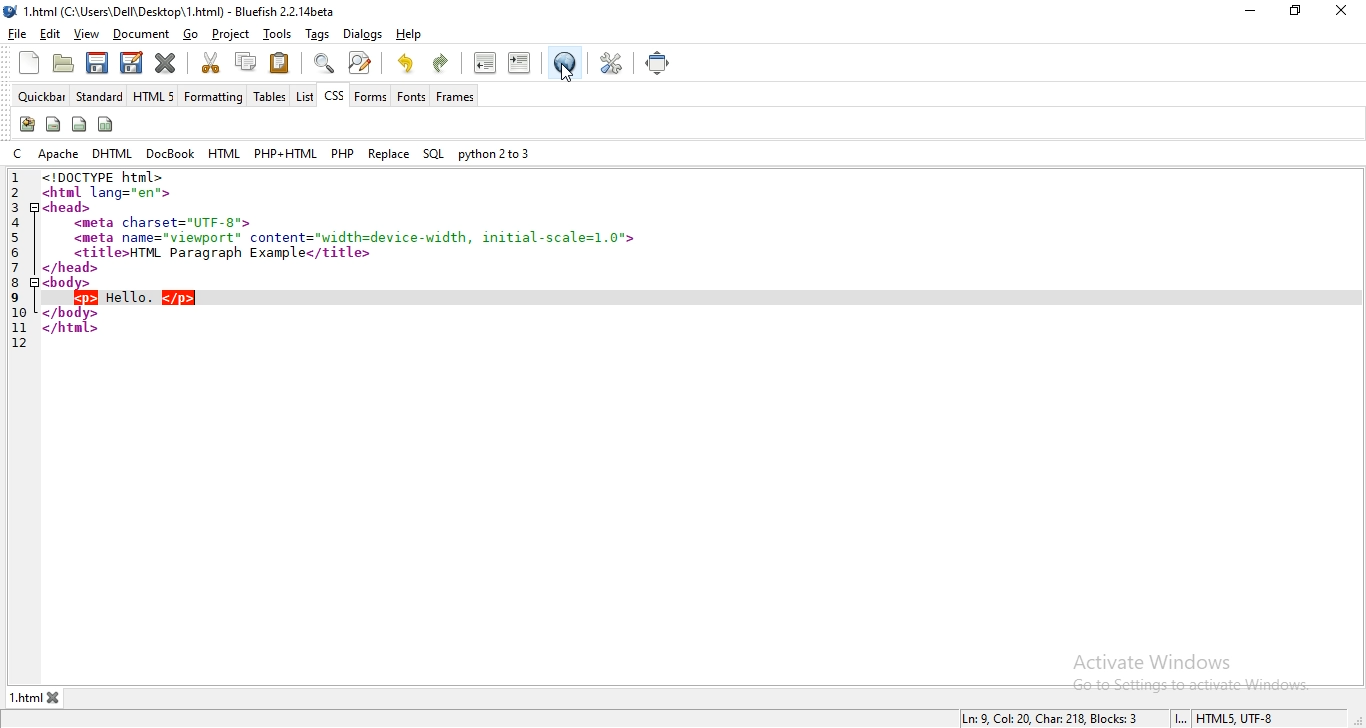  What do you see at coordinates (223, 153) in the screenshot?
I see `html` at bounding box center [223, 153].